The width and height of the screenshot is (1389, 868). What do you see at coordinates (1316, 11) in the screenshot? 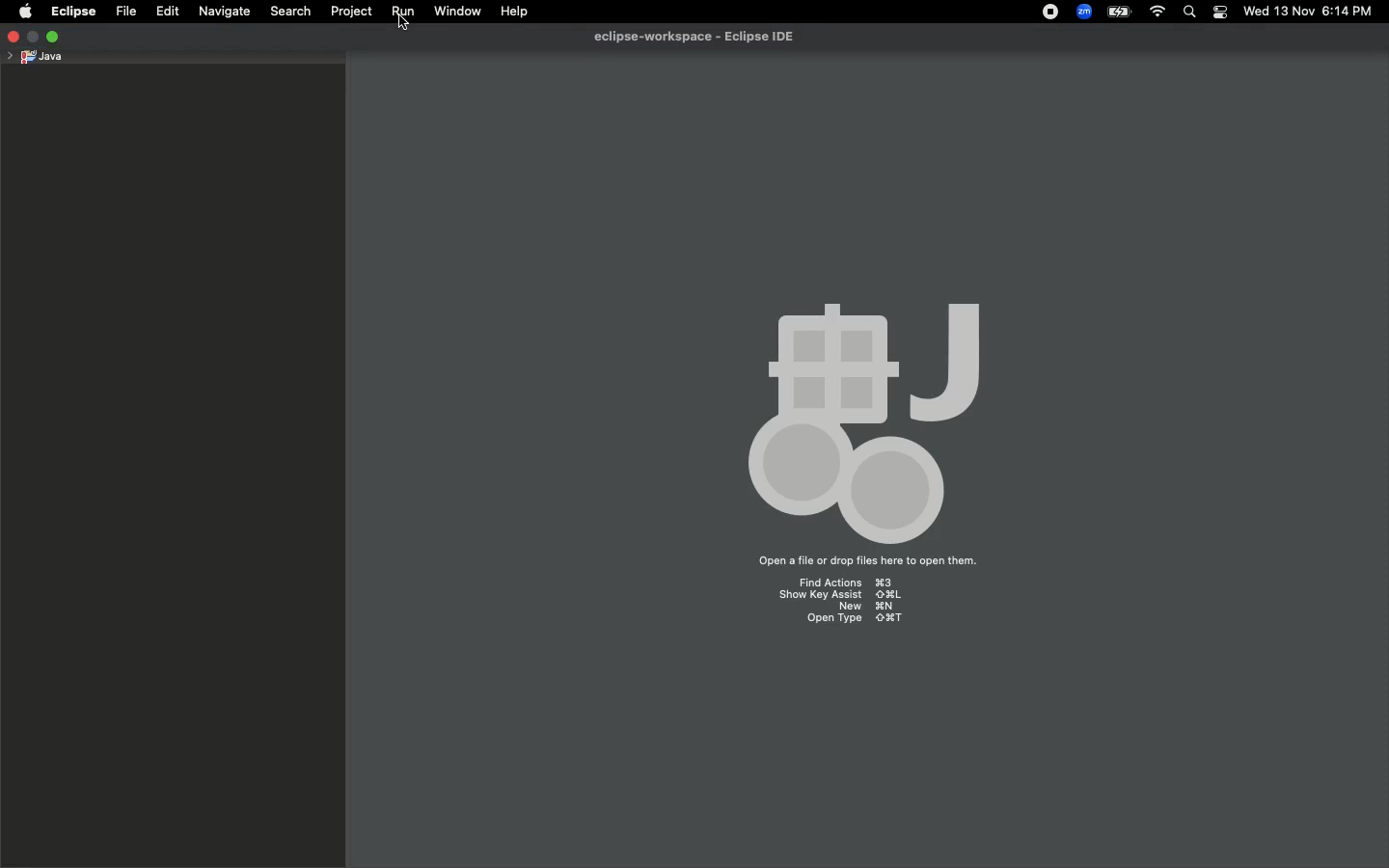
I see `Date/time` at bounding box center [1316, 11].